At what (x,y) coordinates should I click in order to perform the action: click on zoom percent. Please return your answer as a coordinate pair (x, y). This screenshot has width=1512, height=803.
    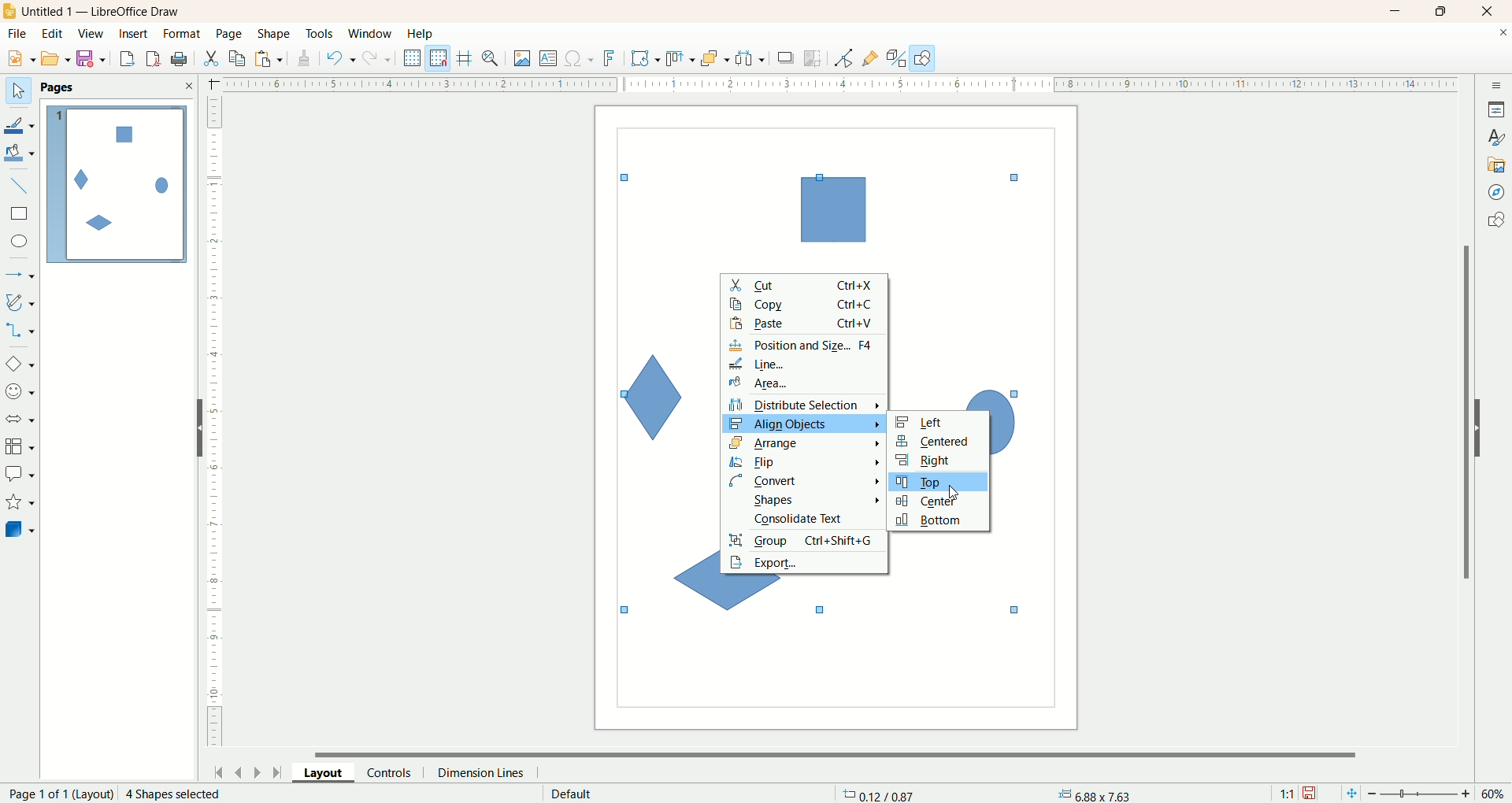
    Looking at the image, I should click on (1495, 794).